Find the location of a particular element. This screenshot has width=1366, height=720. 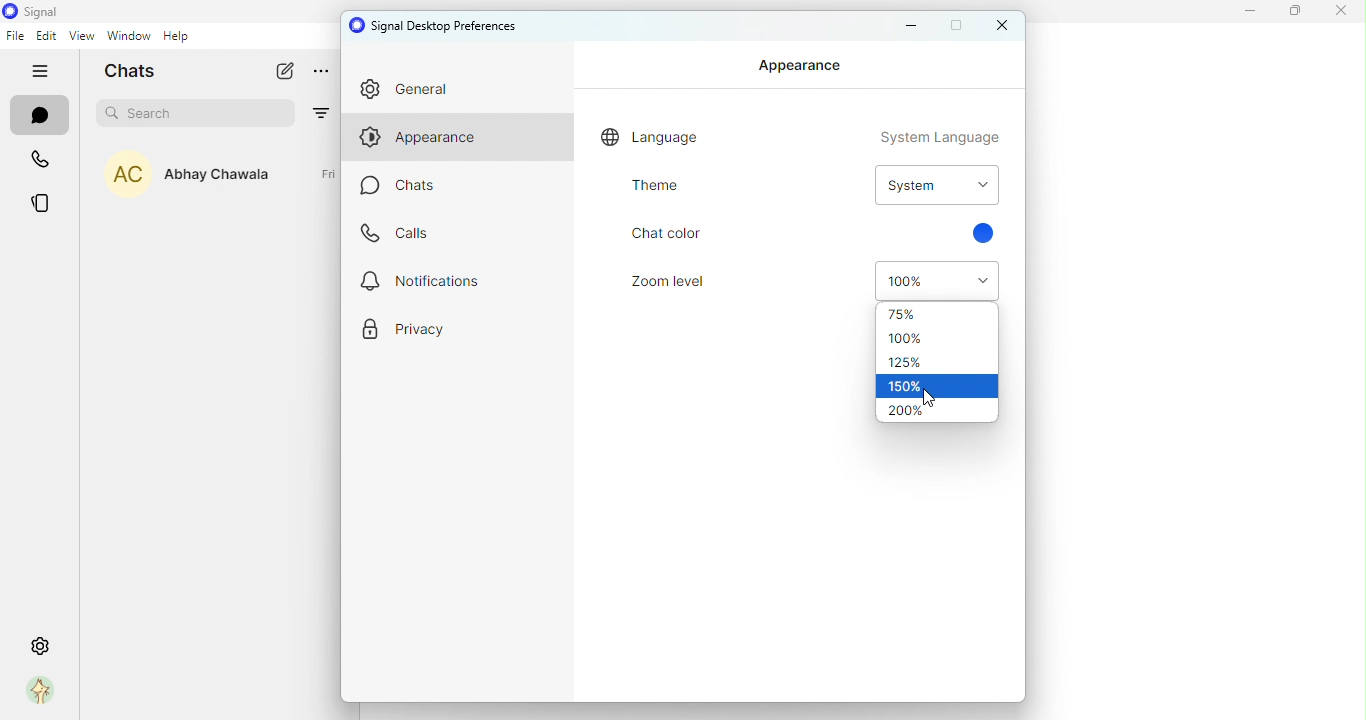

chats is located at coordinates (138, 74).